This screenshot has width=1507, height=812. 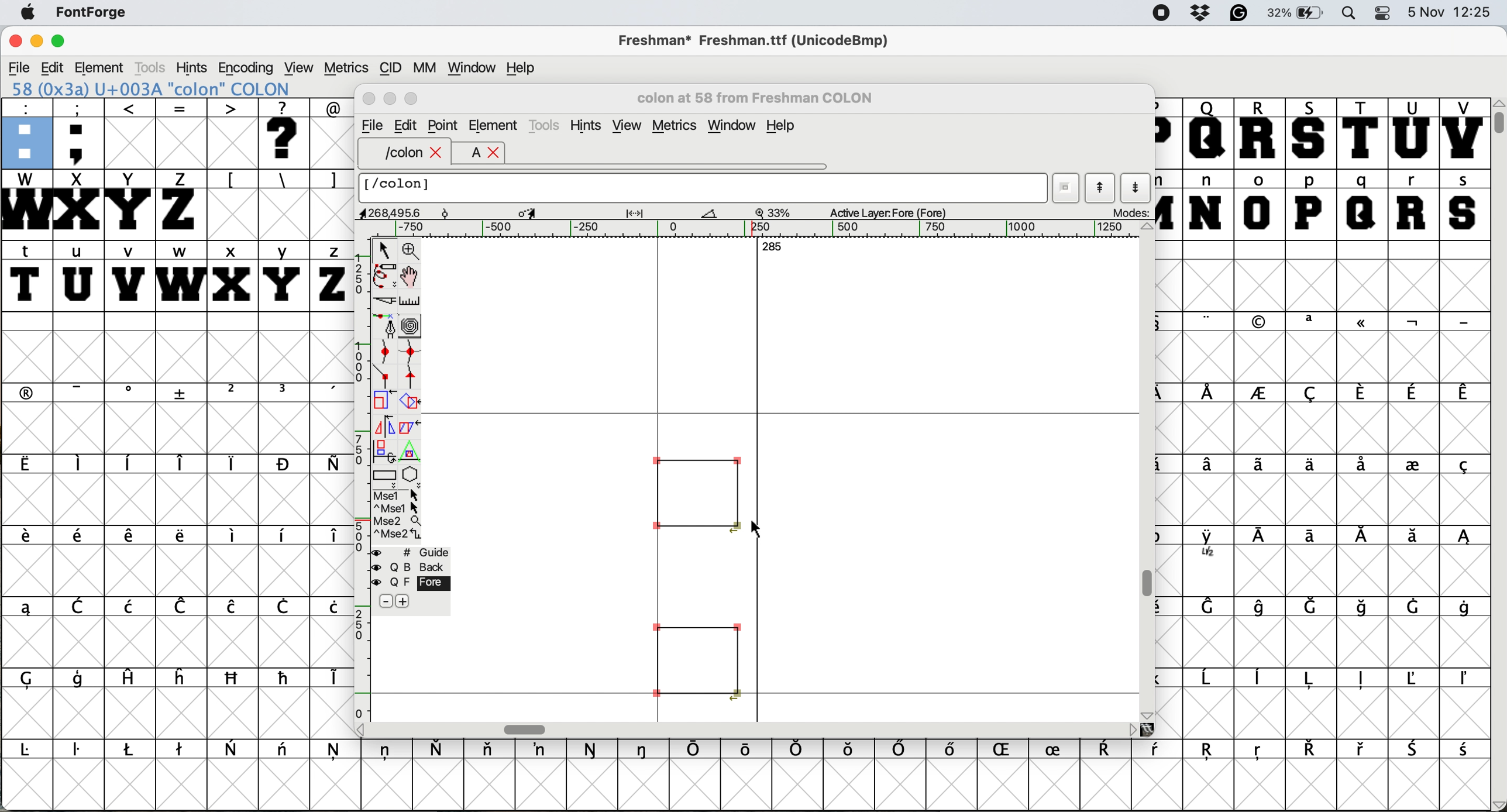 What do you see at coordinates (194, 67) in the screenshot?
I see `hints` at bounding box center [194, 67].